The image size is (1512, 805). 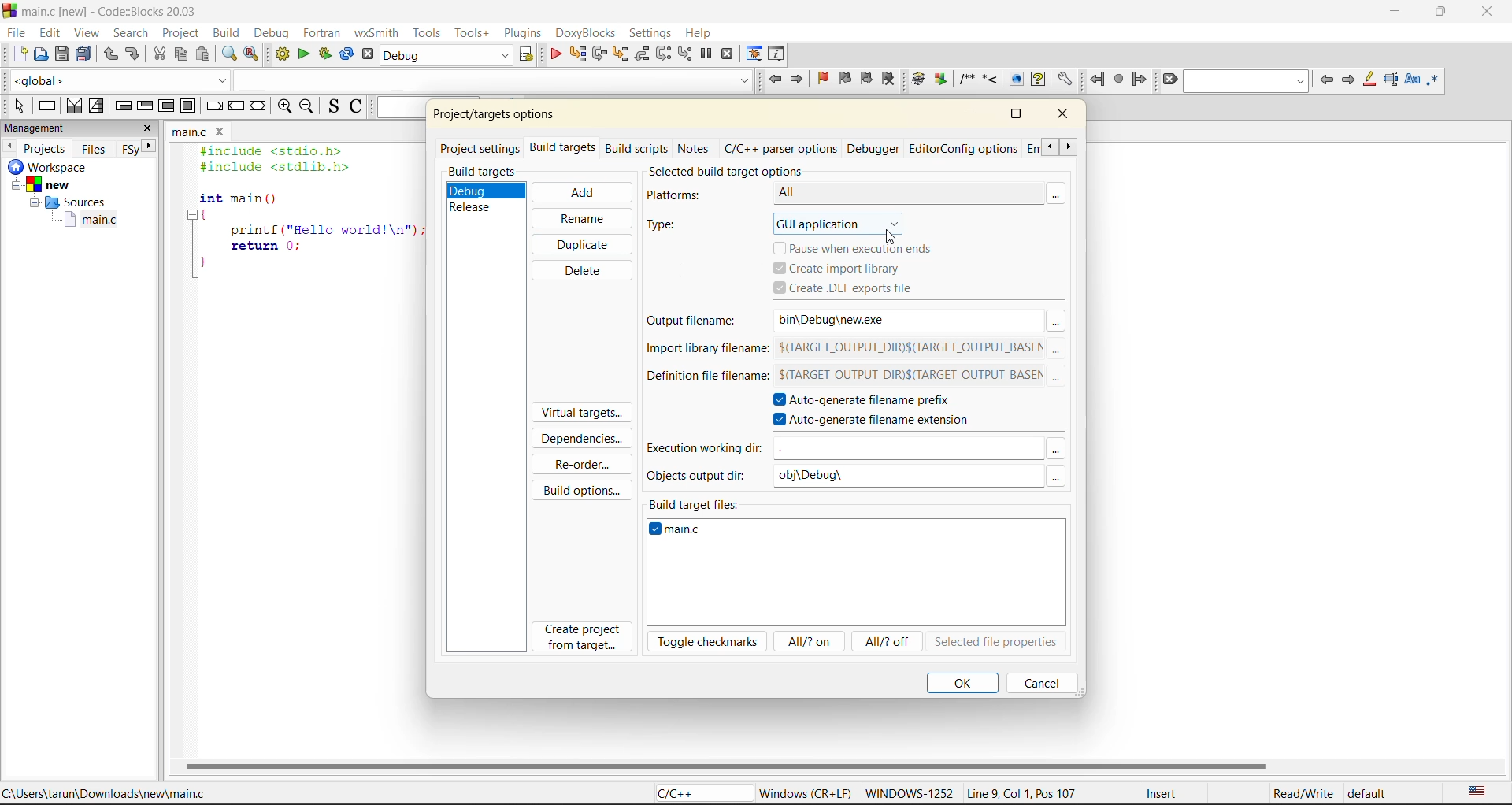 What do you see at coordinates (636, 148) in the screenshot?
I see `build scripts` at bounding box center [636, 148].